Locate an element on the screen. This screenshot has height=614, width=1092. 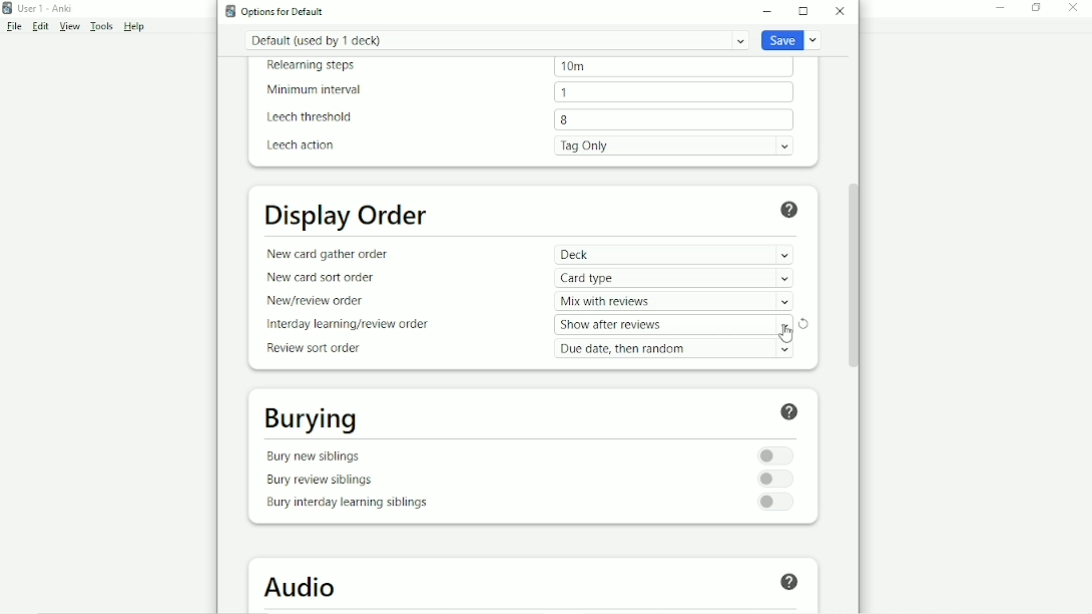
Edit is located at coordinates (40, 26).